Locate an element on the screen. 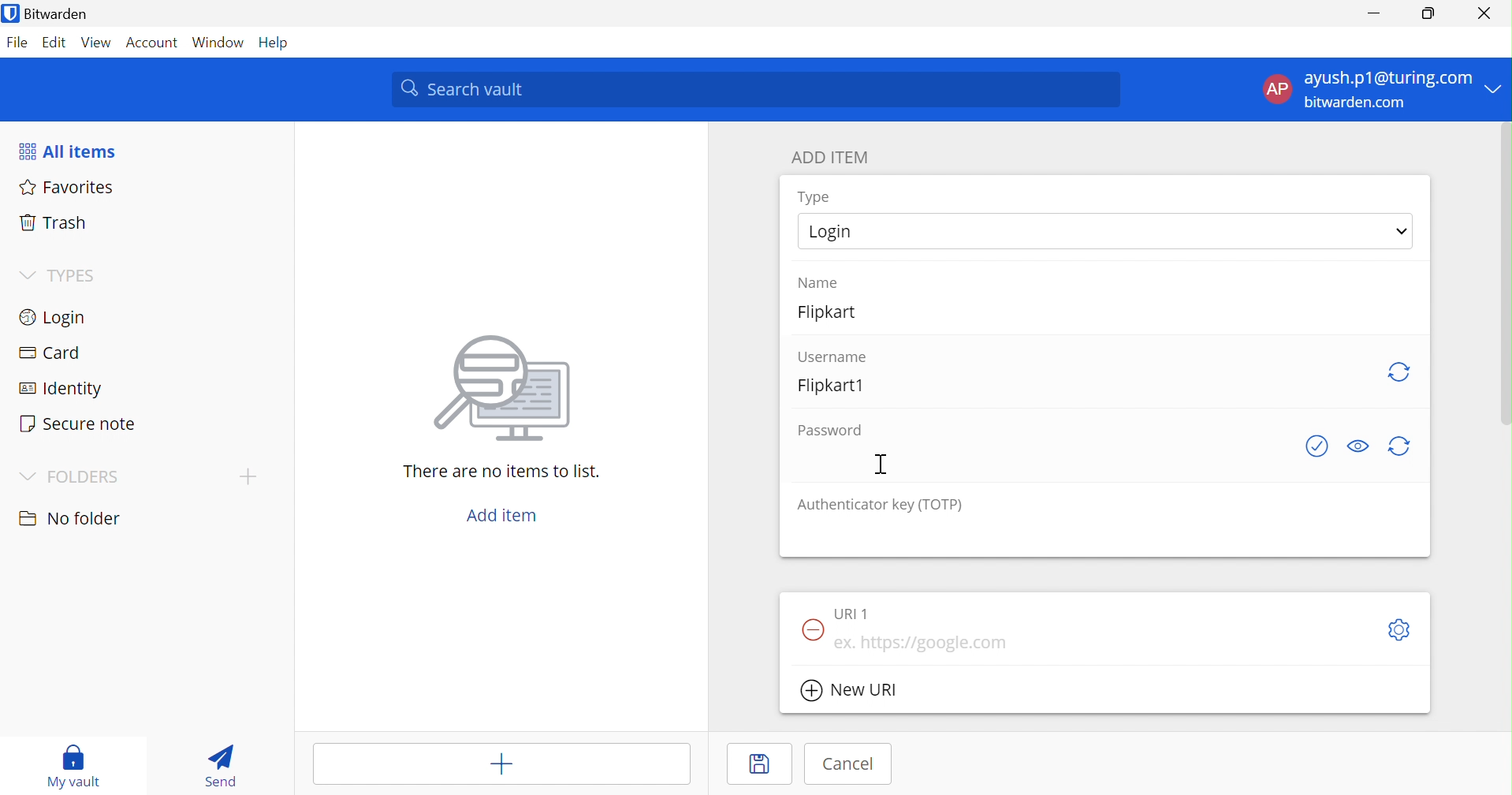  Drop Down is located at coordinates (1402, 230).